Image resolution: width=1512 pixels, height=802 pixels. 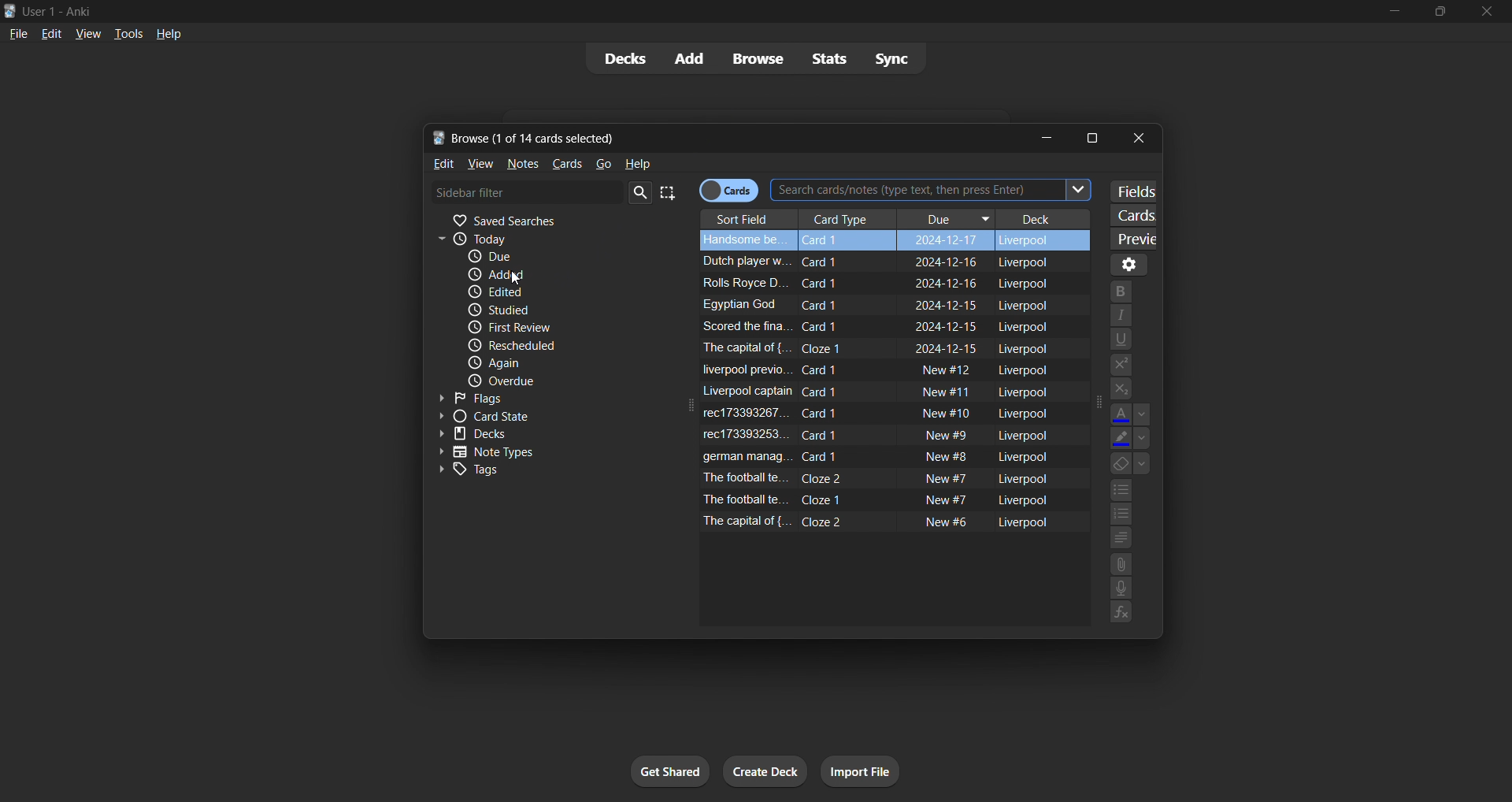 What do you see at coordinates (745, 215) in the screenshot?
I see `sort field column` at bounding box center [745, 215].